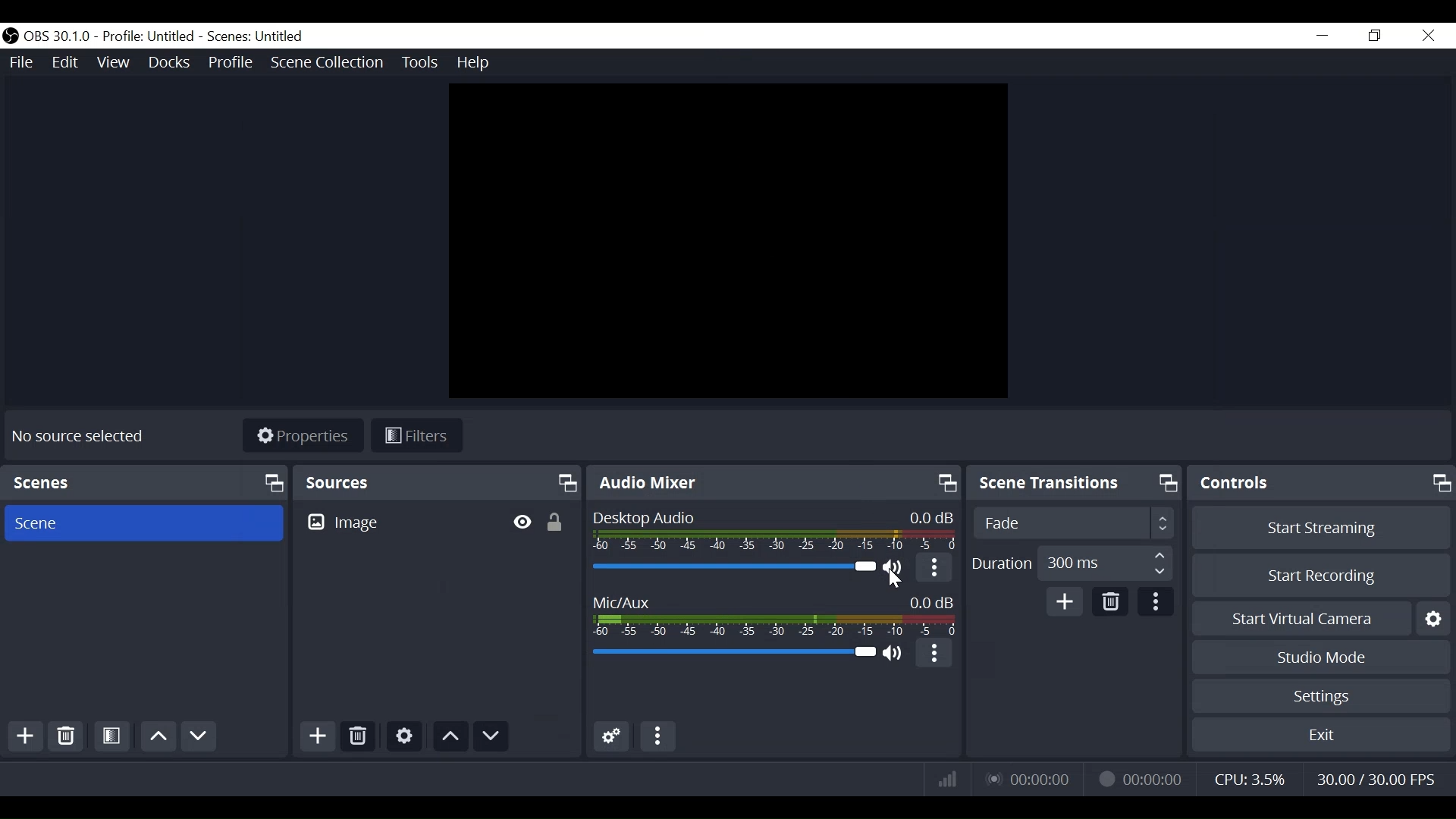  I want to click on Scene, so click(141, 524).